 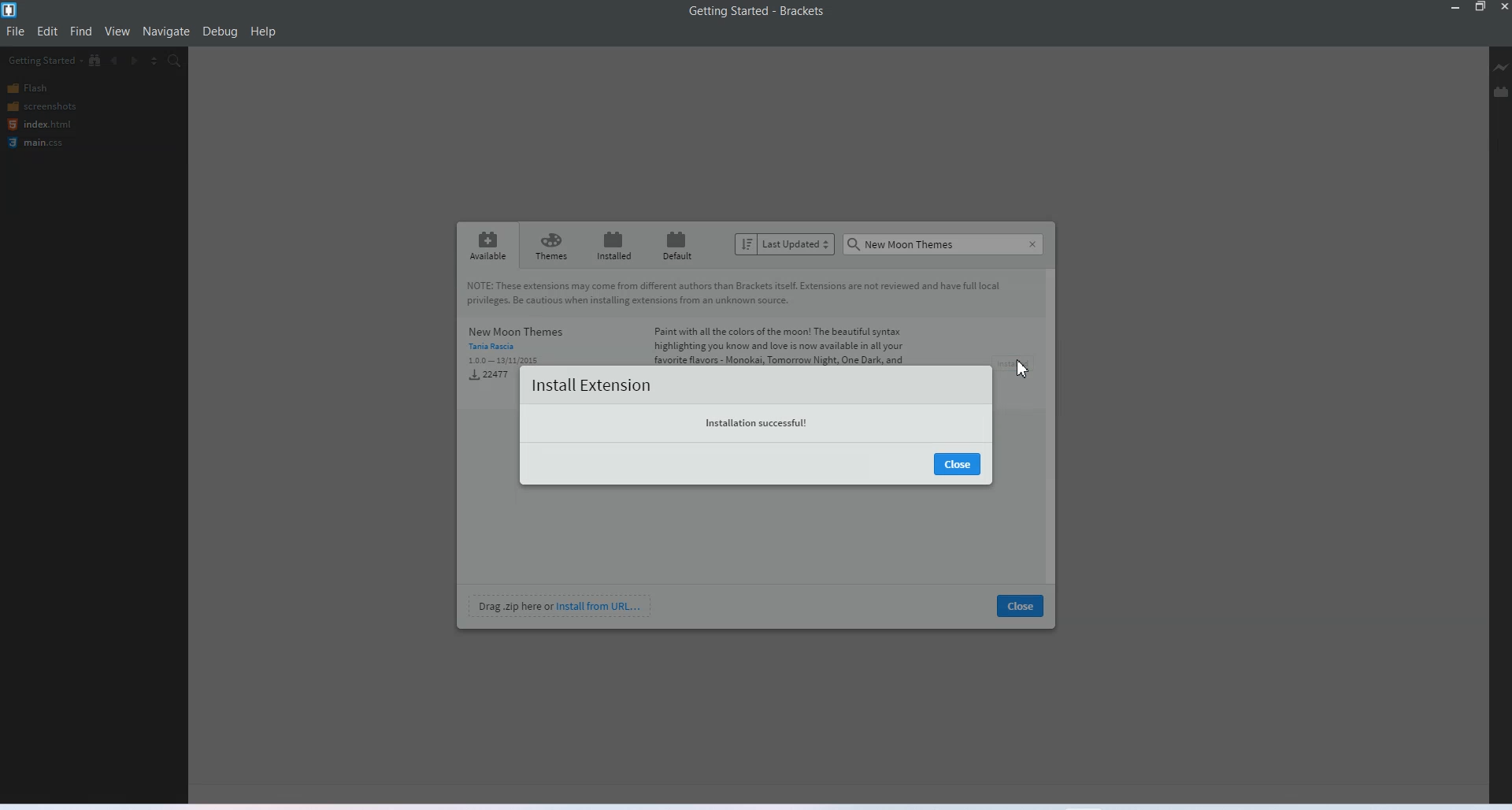 What do you see at coordinates (117, 32) in the screenshot?
I see `View` at bounding box center [117, 32].